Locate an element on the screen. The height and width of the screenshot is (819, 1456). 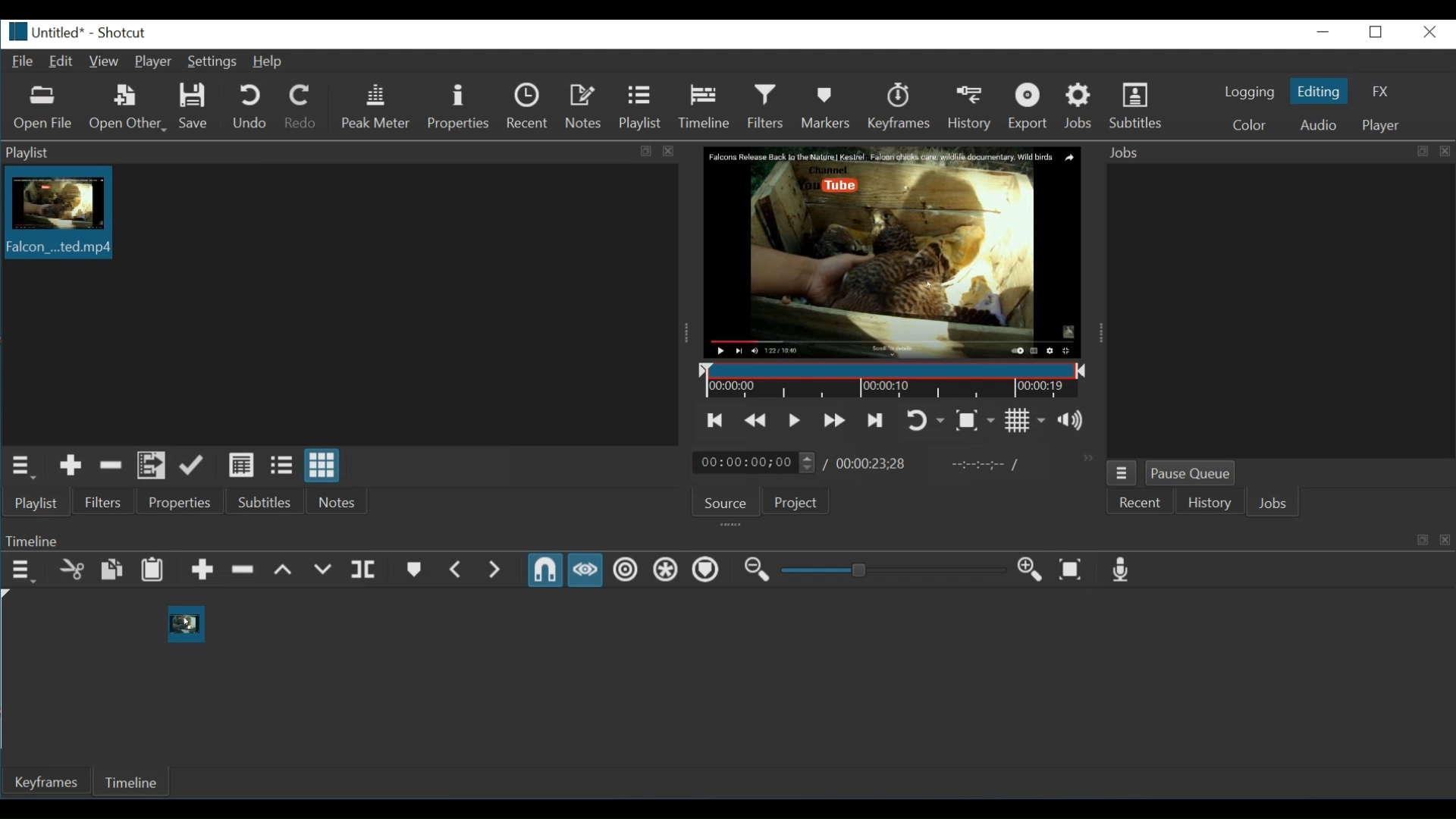
Current location is located at coordinates (756, 463).